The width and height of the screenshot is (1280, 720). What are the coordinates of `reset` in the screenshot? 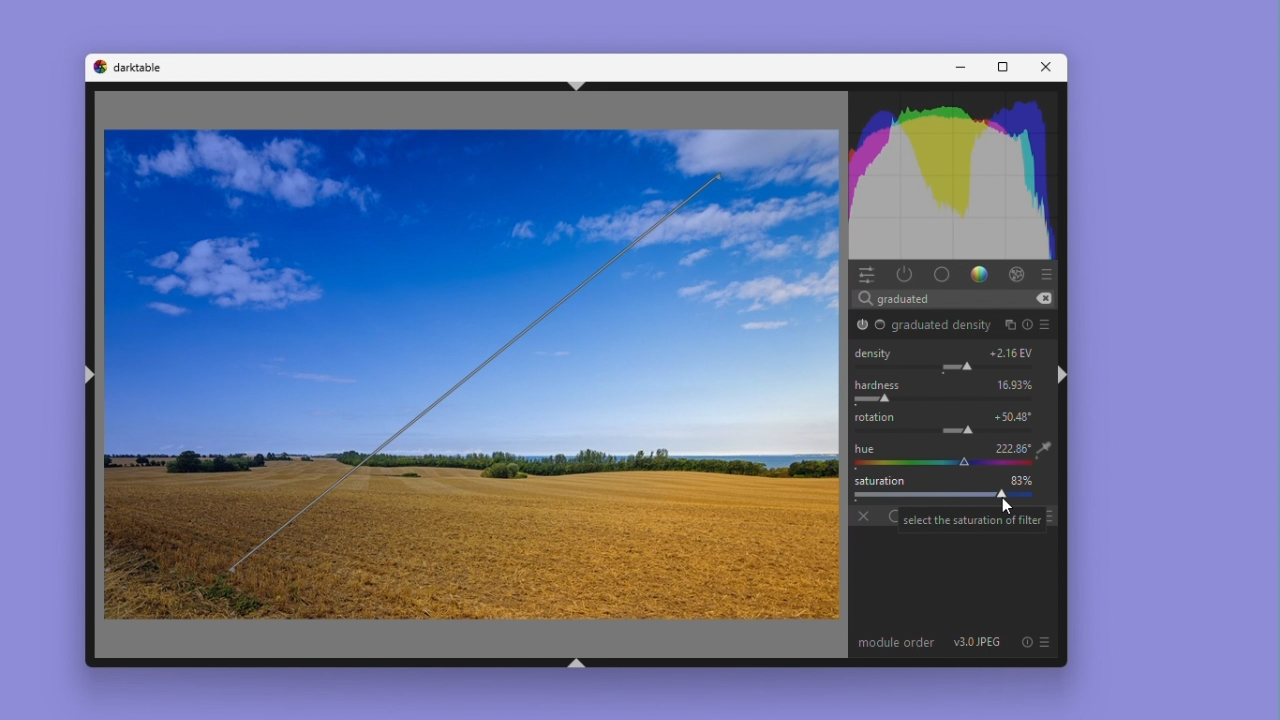 It's located at (1024, 643).